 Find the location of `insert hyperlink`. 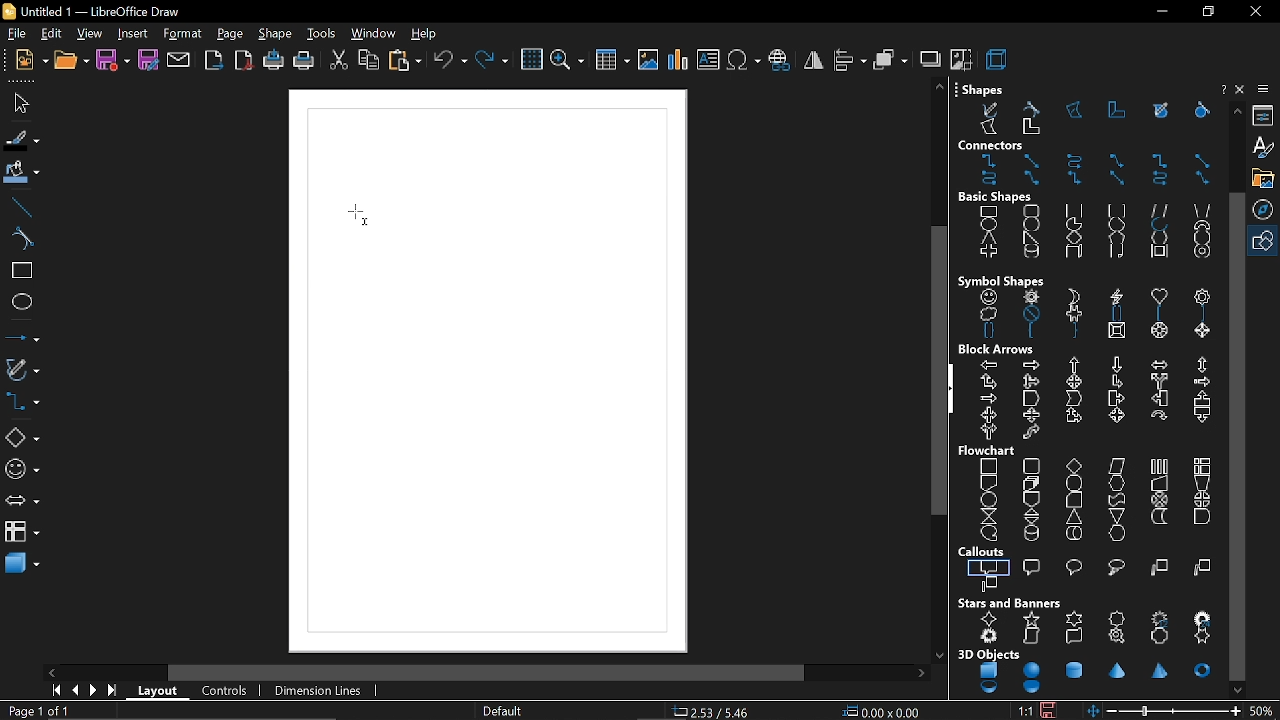

insert hyperlink is located at coordinates (779, 61).